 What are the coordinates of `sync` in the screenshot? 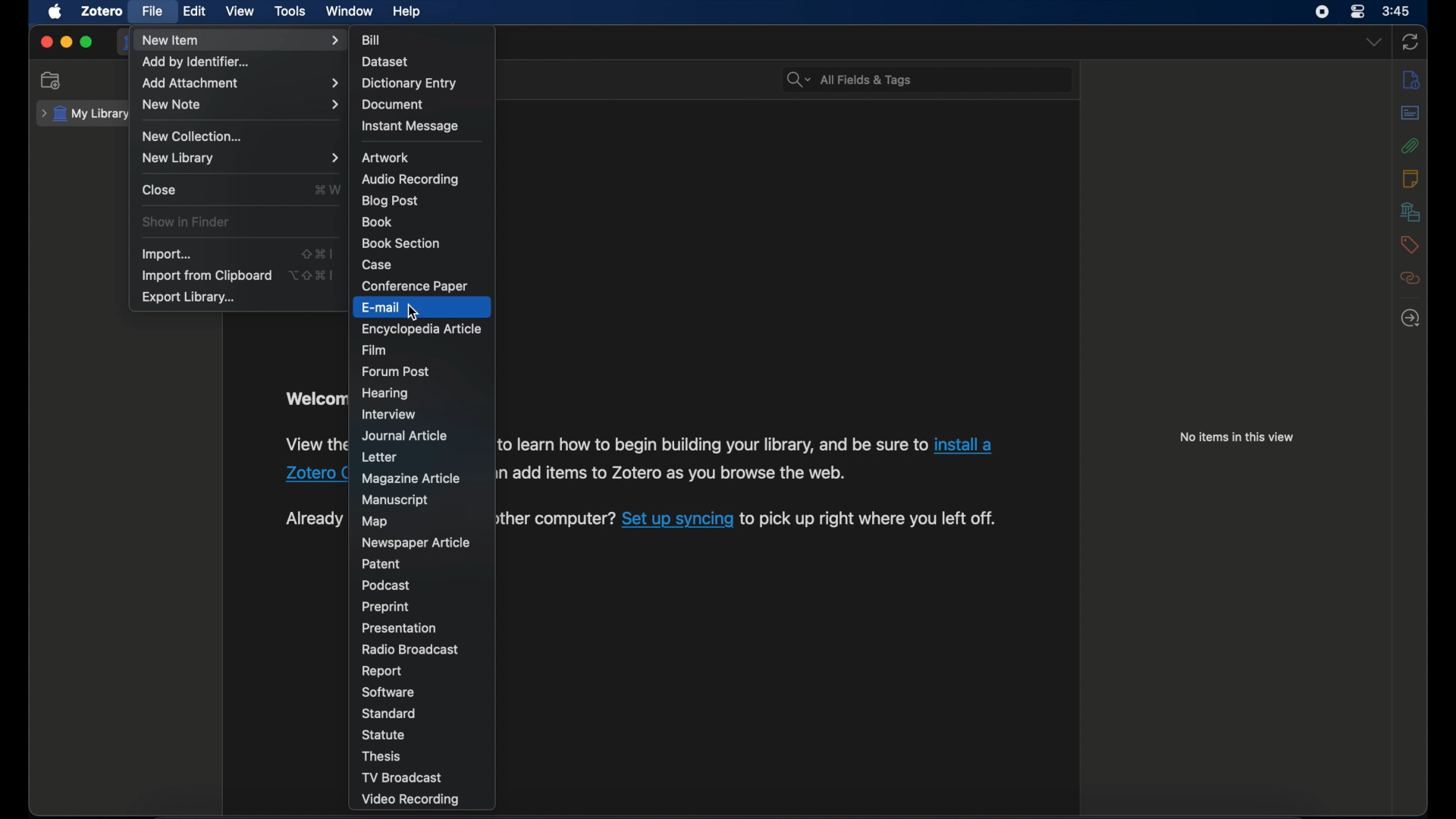 It's located at (1410, 41).